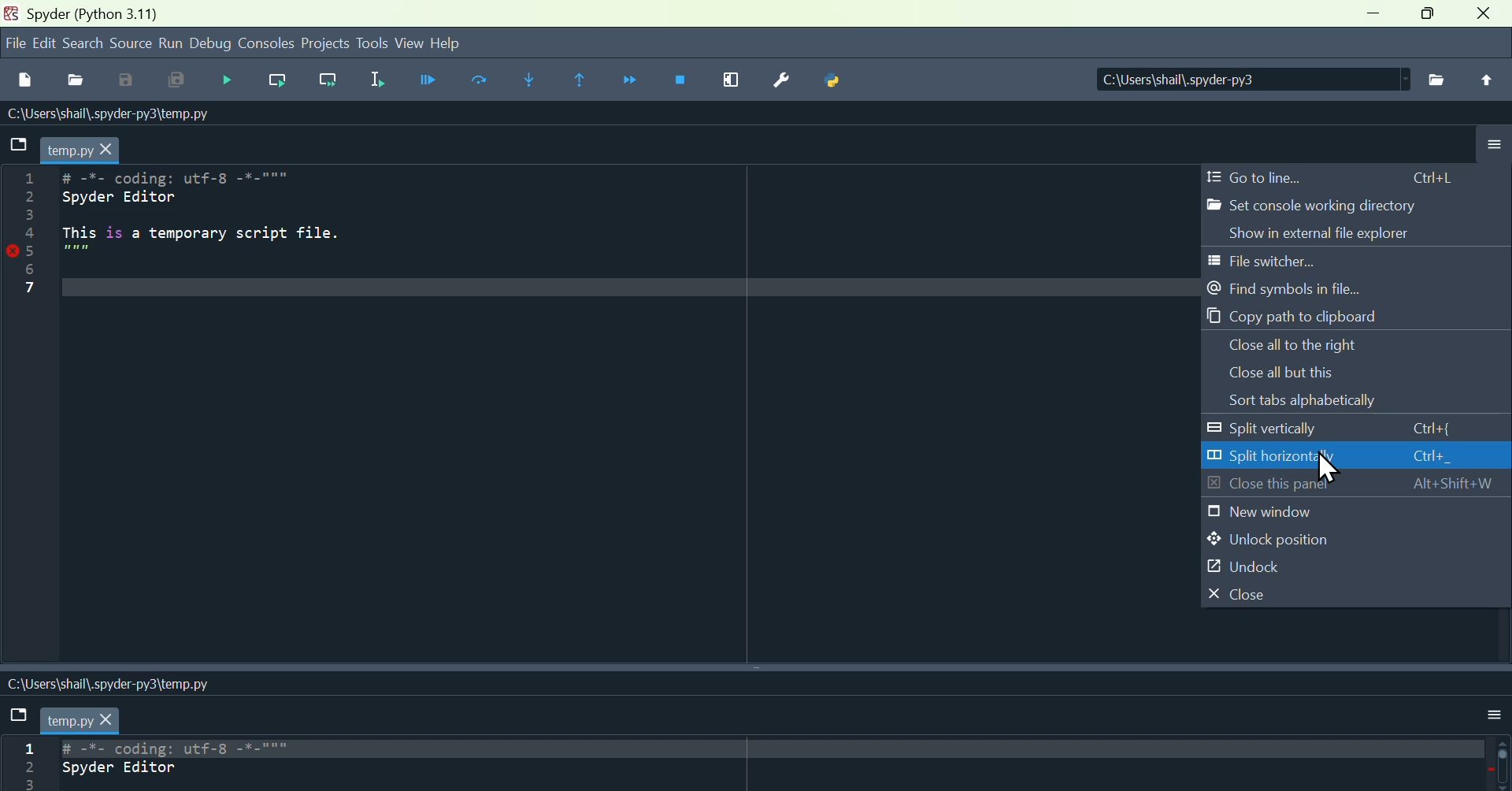 This screenshot has height=791, width=1512. What do you see at coordinates (22, 240) in the screenshot?
I see `Line number` at bounding box center [22, 240].